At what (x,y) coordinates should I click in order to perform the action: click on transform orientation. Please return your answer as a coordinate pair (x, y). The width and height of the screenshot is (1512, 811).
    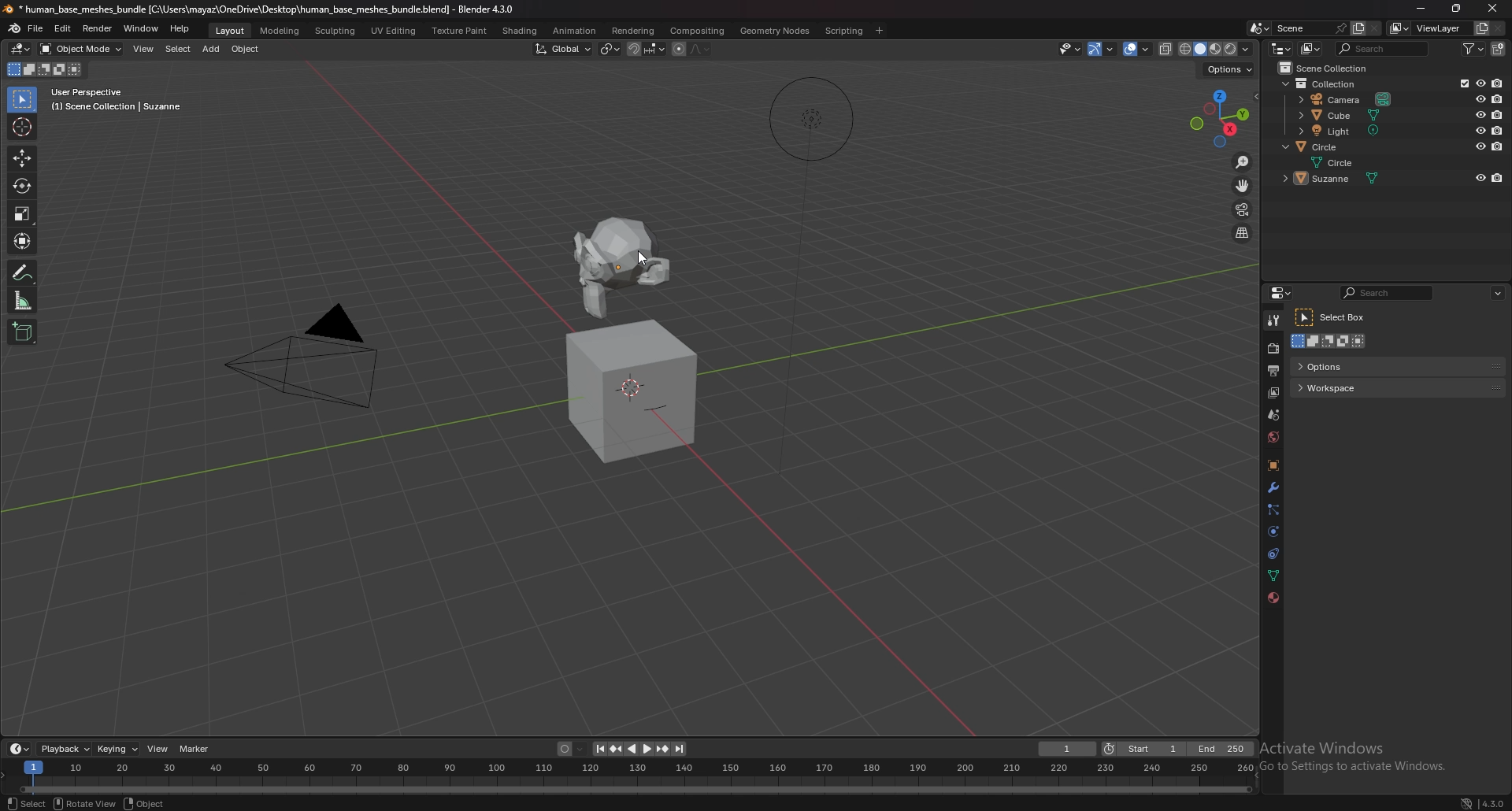
    Looking at the image, I should click on (563, 48).